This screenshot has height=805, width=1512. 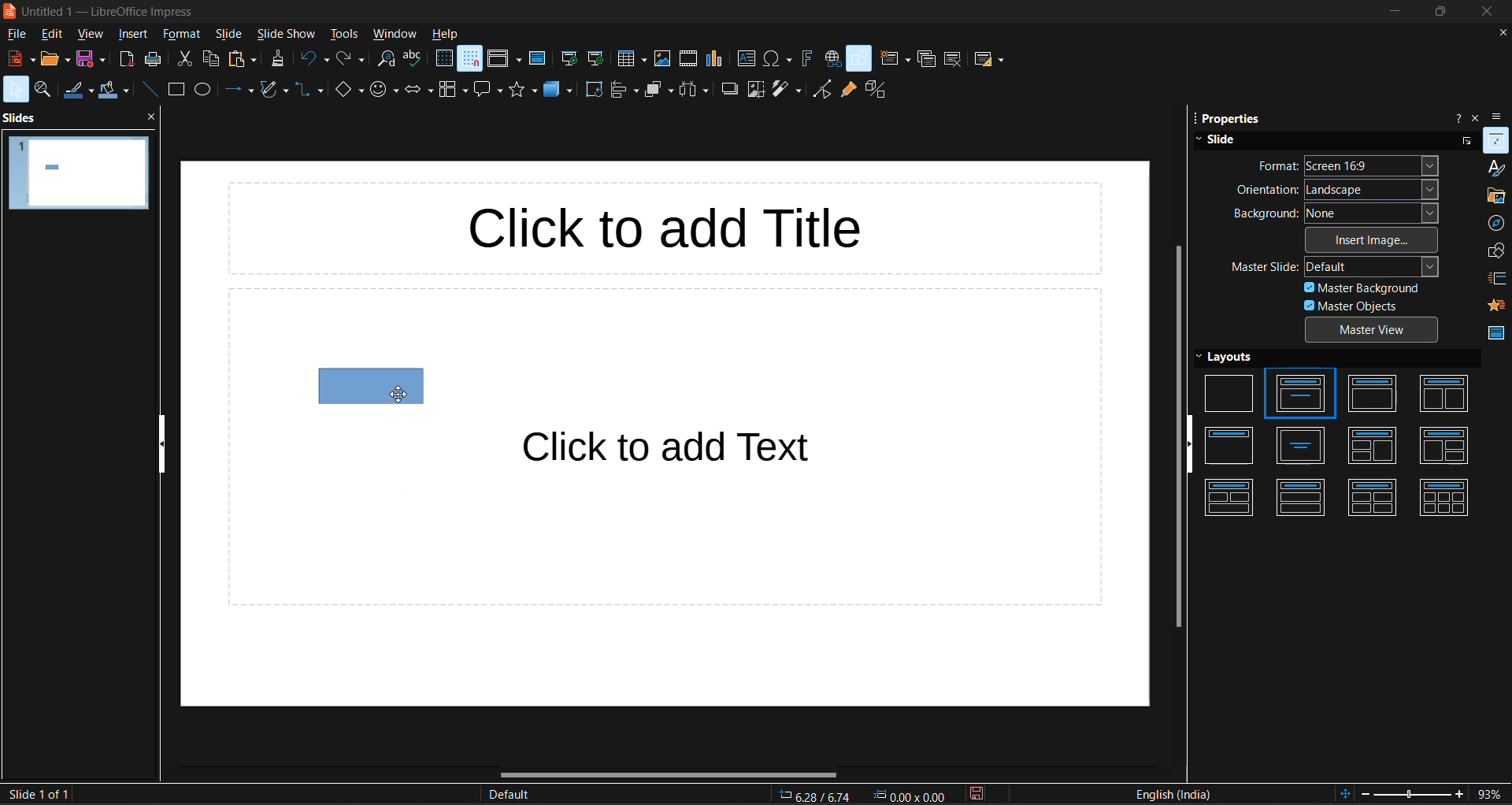 I want to click on master slides, so click(x=1495, y=336).